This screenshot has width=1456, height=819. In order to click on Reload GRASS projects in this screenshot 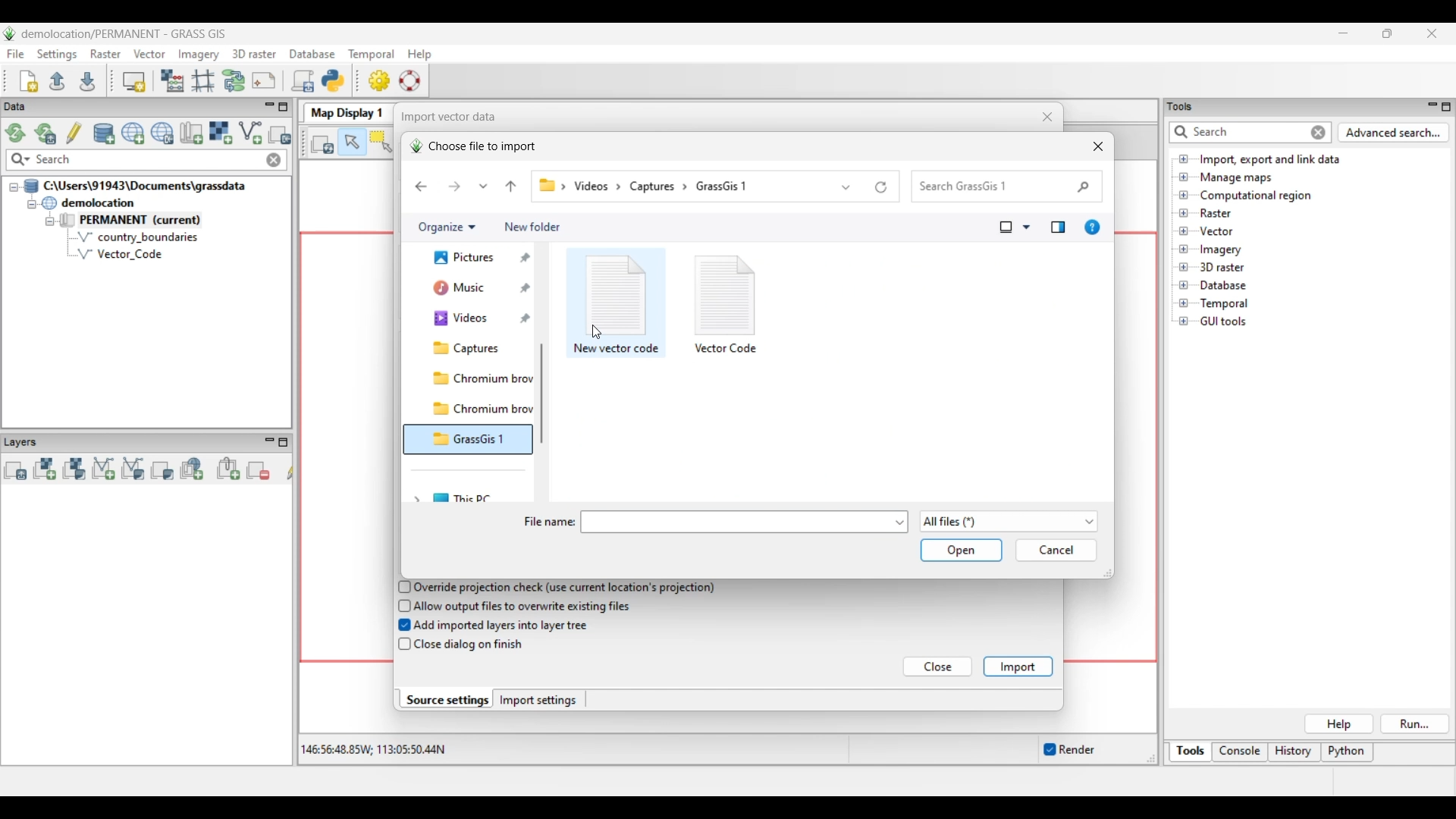, I will do `click(16, 133)`.